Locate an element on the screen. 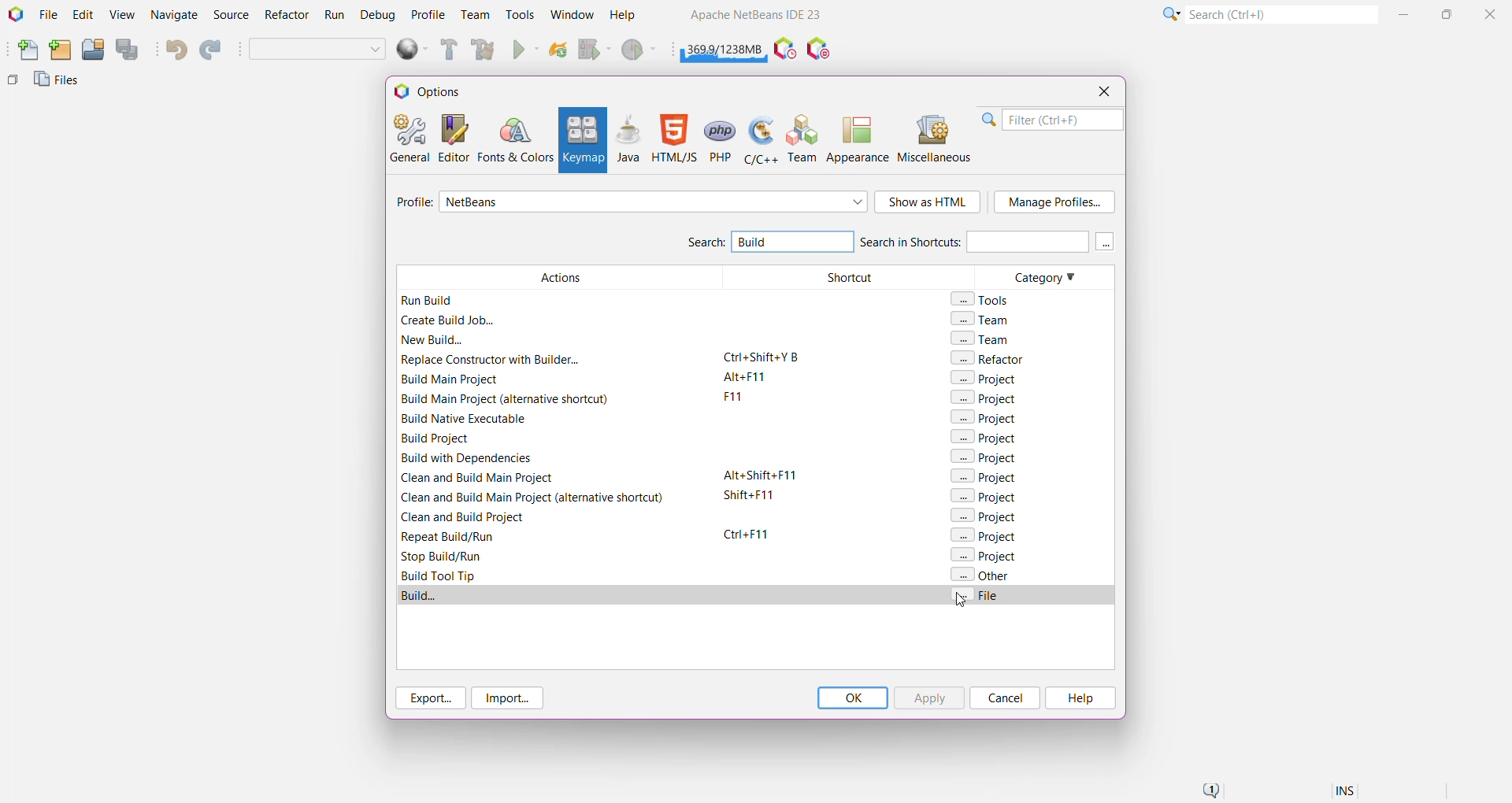  Help is located at coordinates (630, 17).